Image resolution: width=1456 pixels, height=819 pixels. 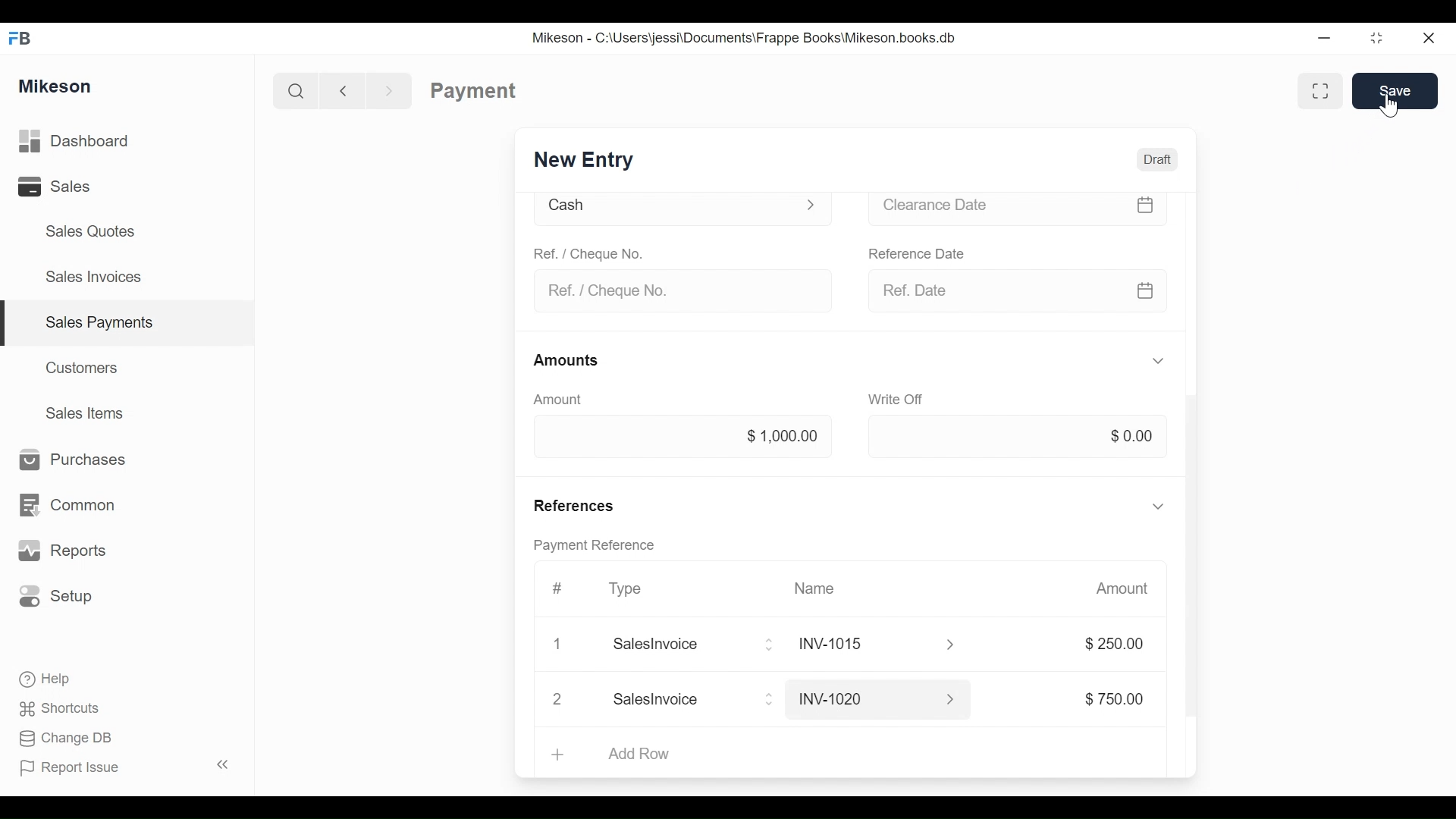 What do you see at coordinates (1150, 158) in the screenshot?
I see `Draft` at bounding box center [1150, 158].